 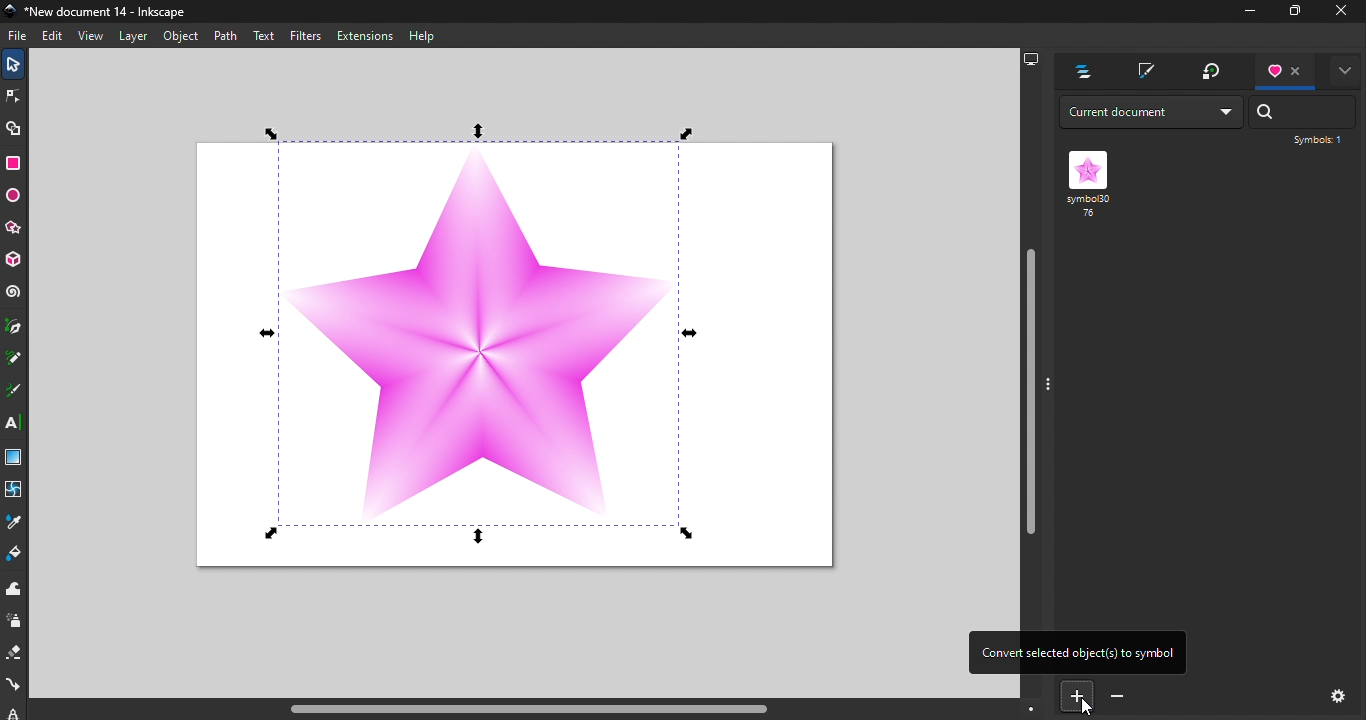 What do you see at coordinates (13, 521) in the screenshot?
I see `Dropper tool` at bounding box center [13, 521].